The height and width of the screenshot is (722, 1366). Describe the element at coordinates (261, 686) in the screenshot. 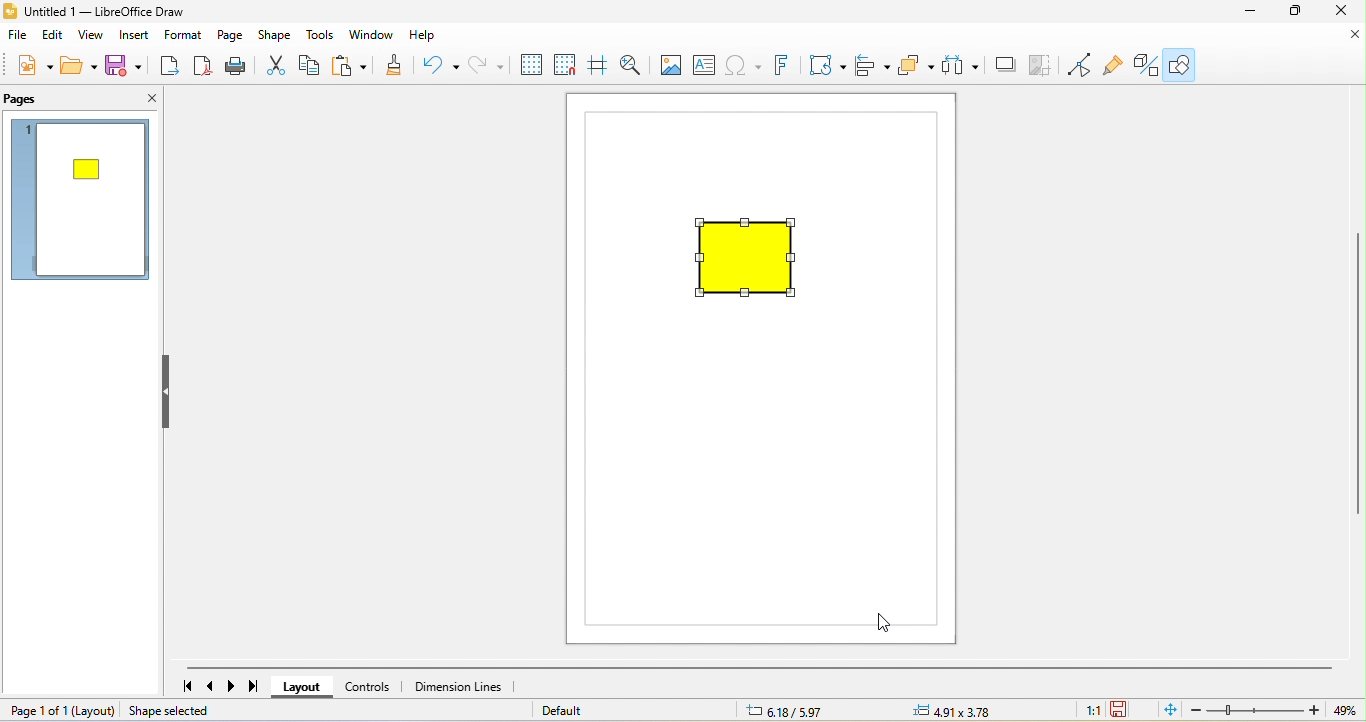

I see `last page` at that location.